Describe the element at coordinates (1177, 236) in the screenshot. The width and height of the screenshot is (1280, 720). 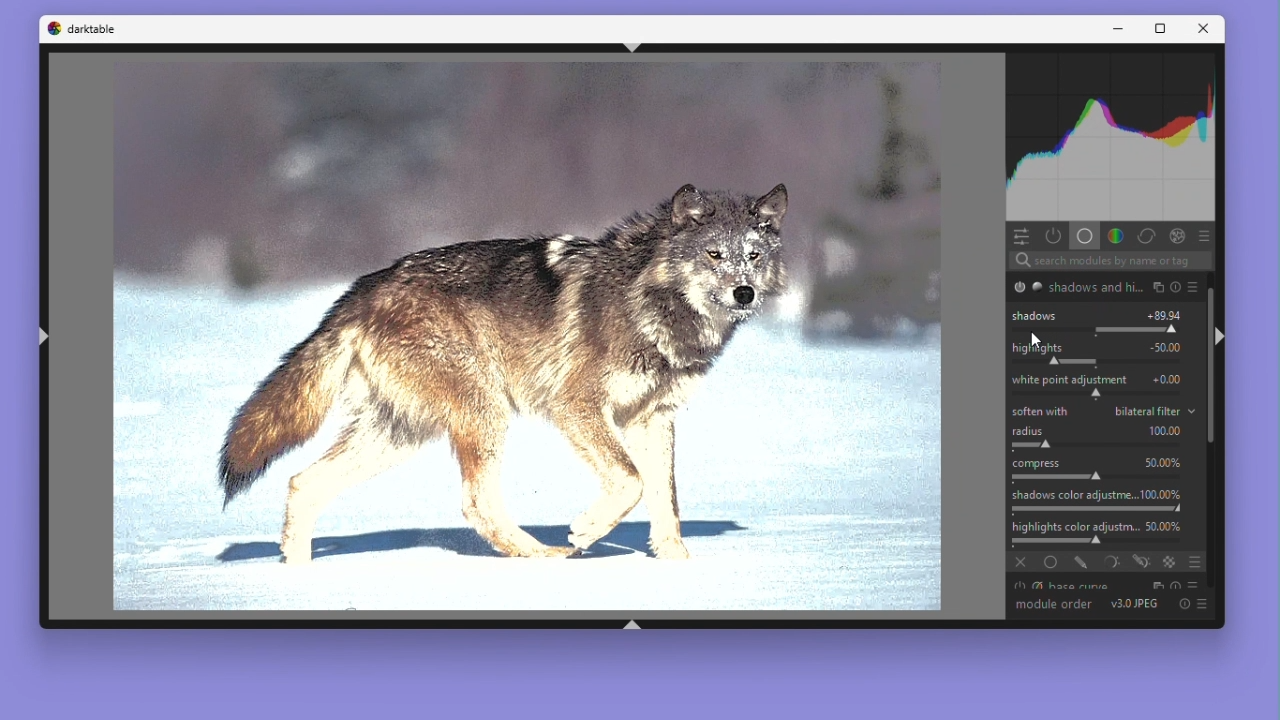
I see `Effect` at that location.